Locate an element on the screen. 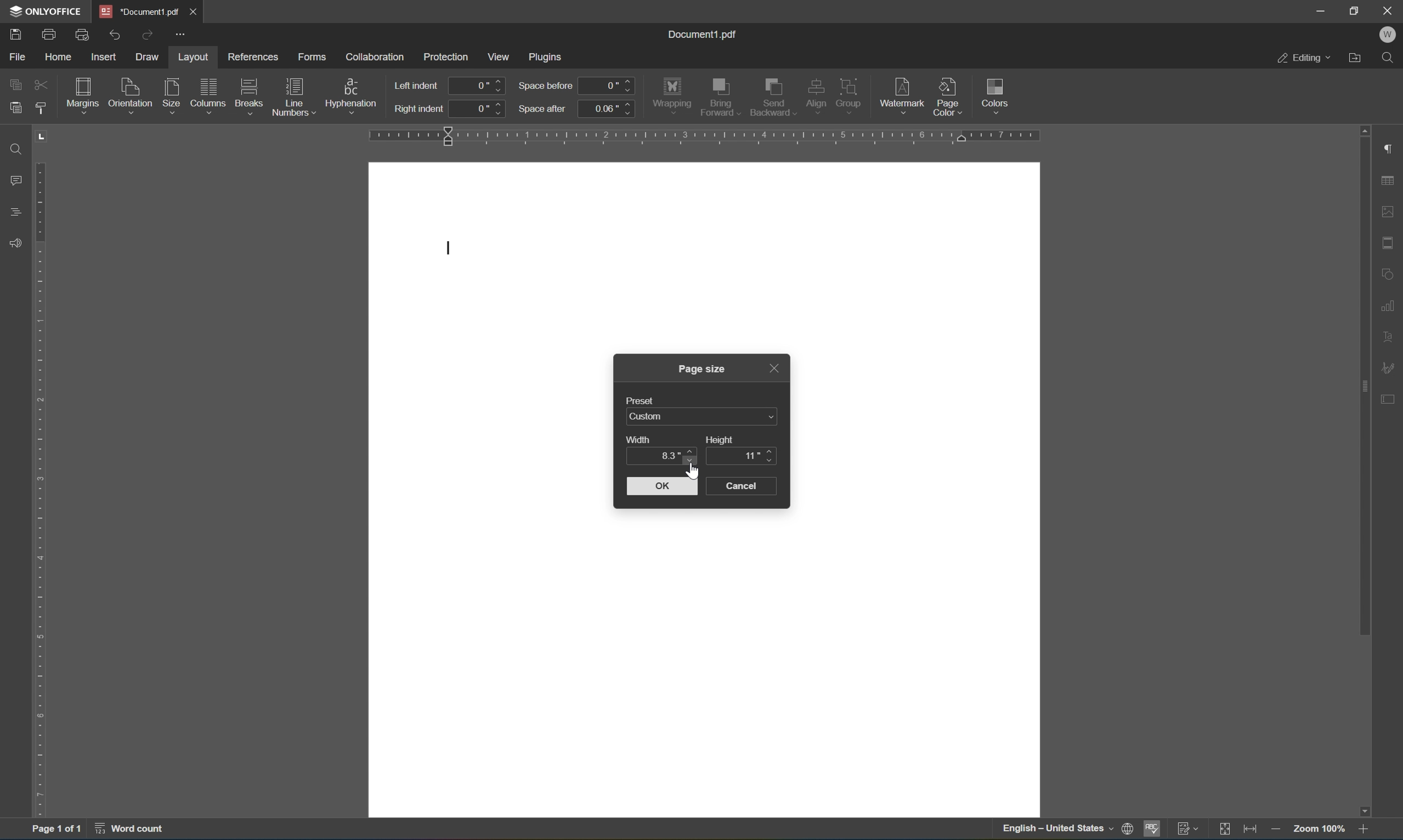 This screenshot has width=1403, height=840. fit to width is located at coordinates (1254, 830).